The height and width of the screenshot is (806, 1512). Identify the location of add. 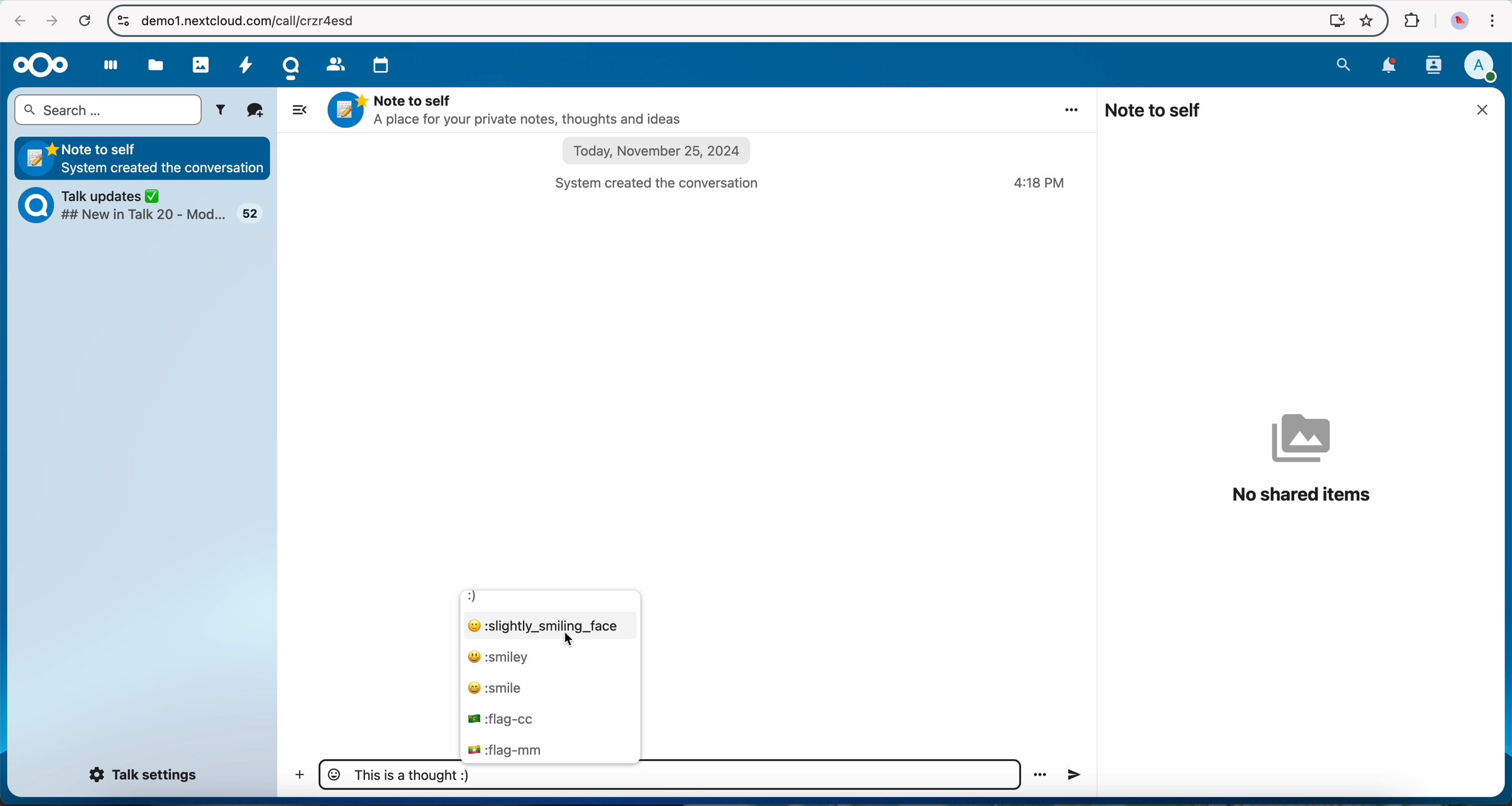
(296, 776).